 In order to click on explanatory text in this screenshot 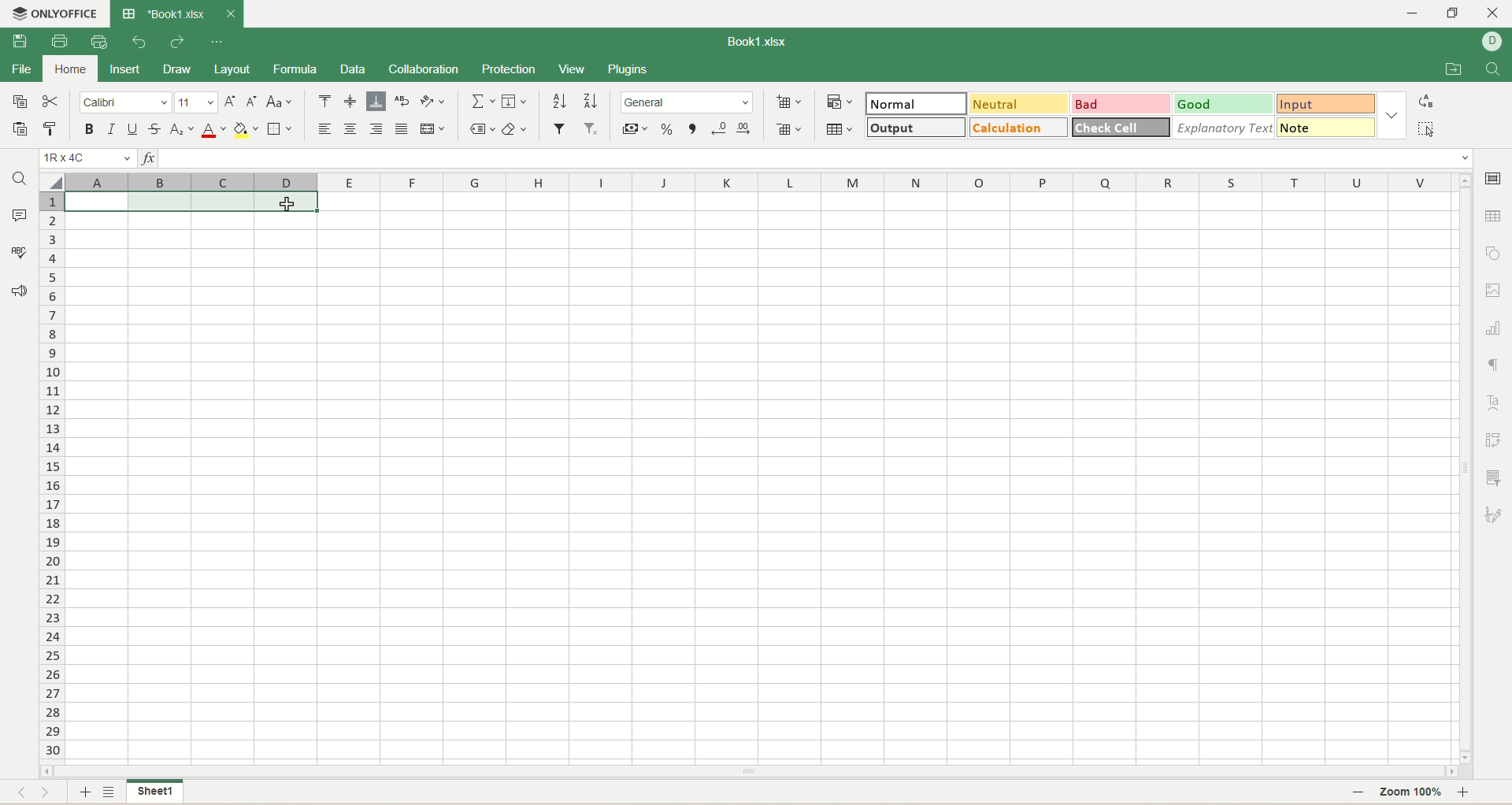, I will do `click(1222, 128)`.